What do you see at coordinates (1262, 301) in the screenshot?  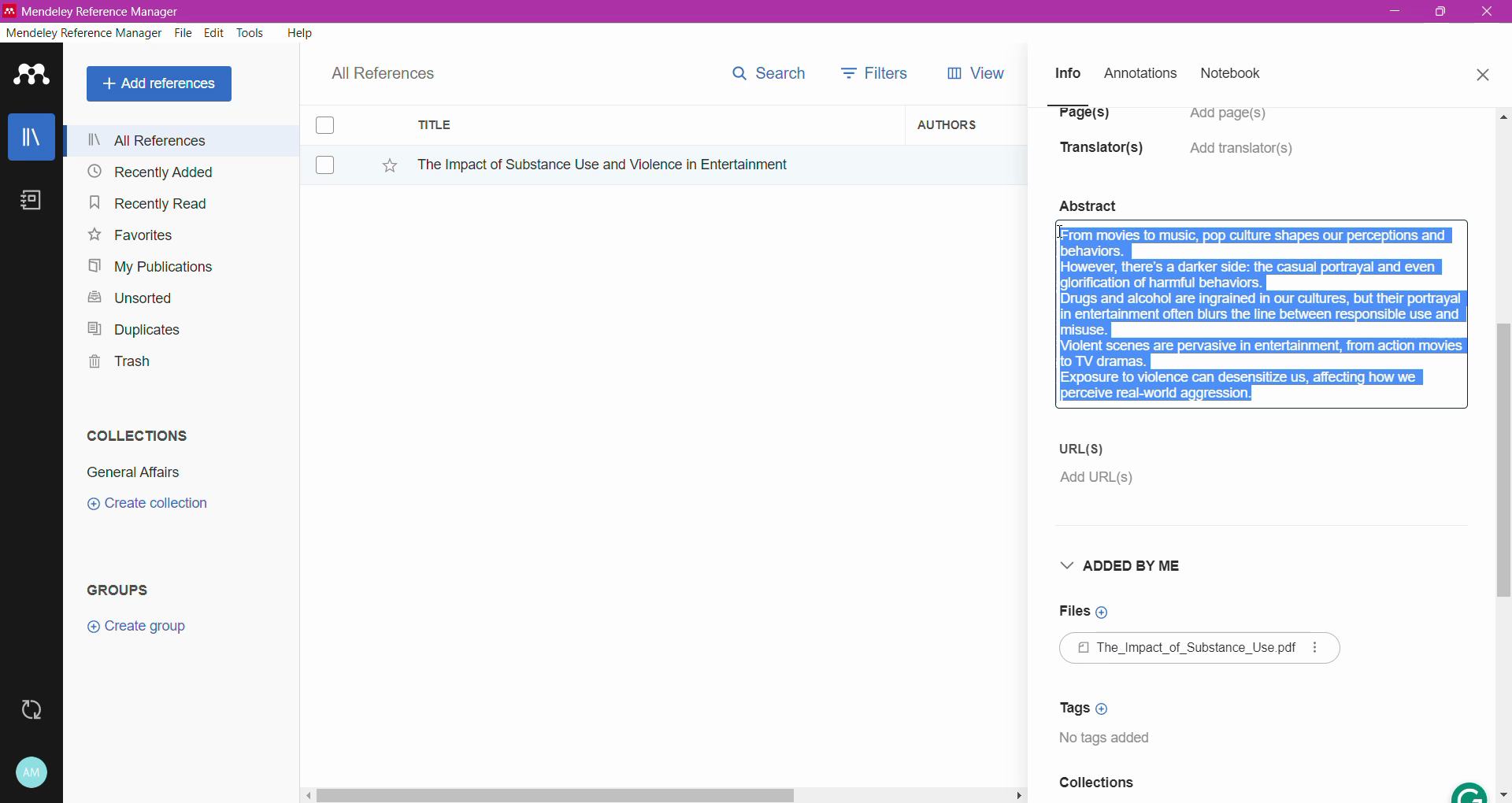 I see `Click to select the full summary` at bounding box center [1262, 301].